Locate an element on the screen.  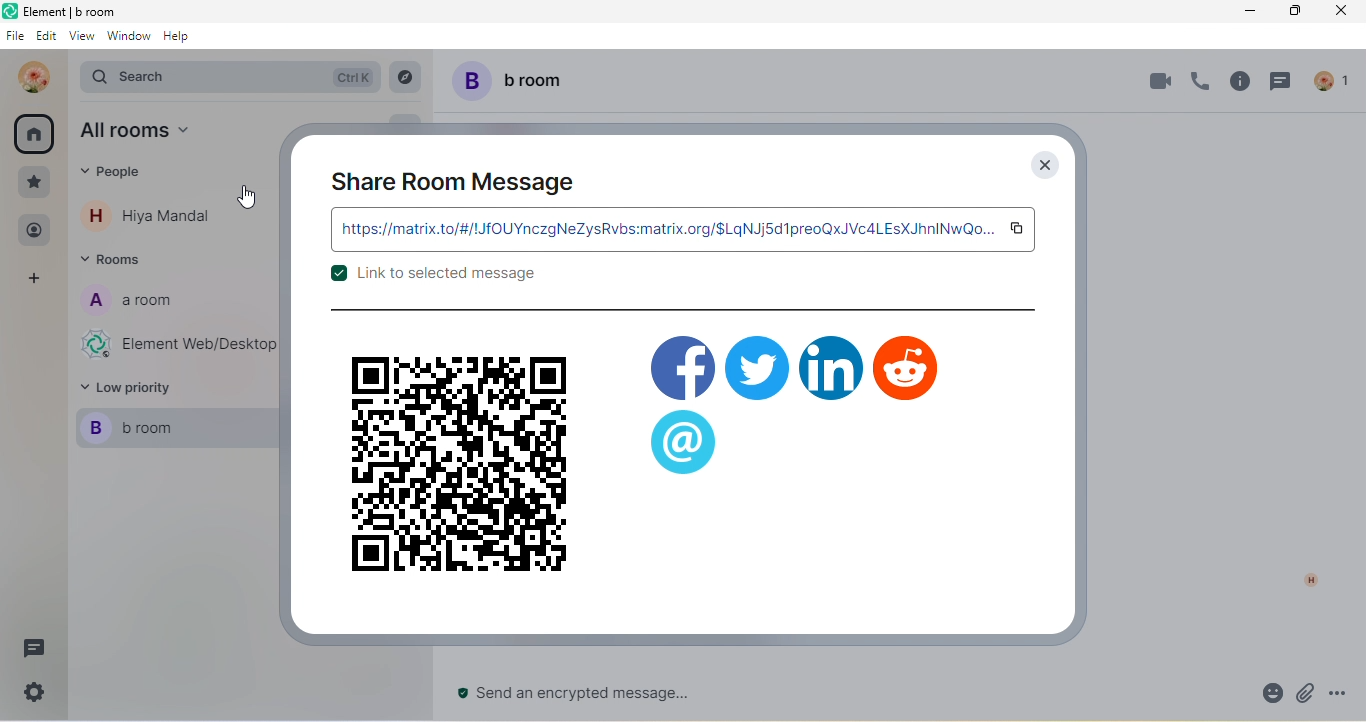
option is located at coordinates (1344, 693).